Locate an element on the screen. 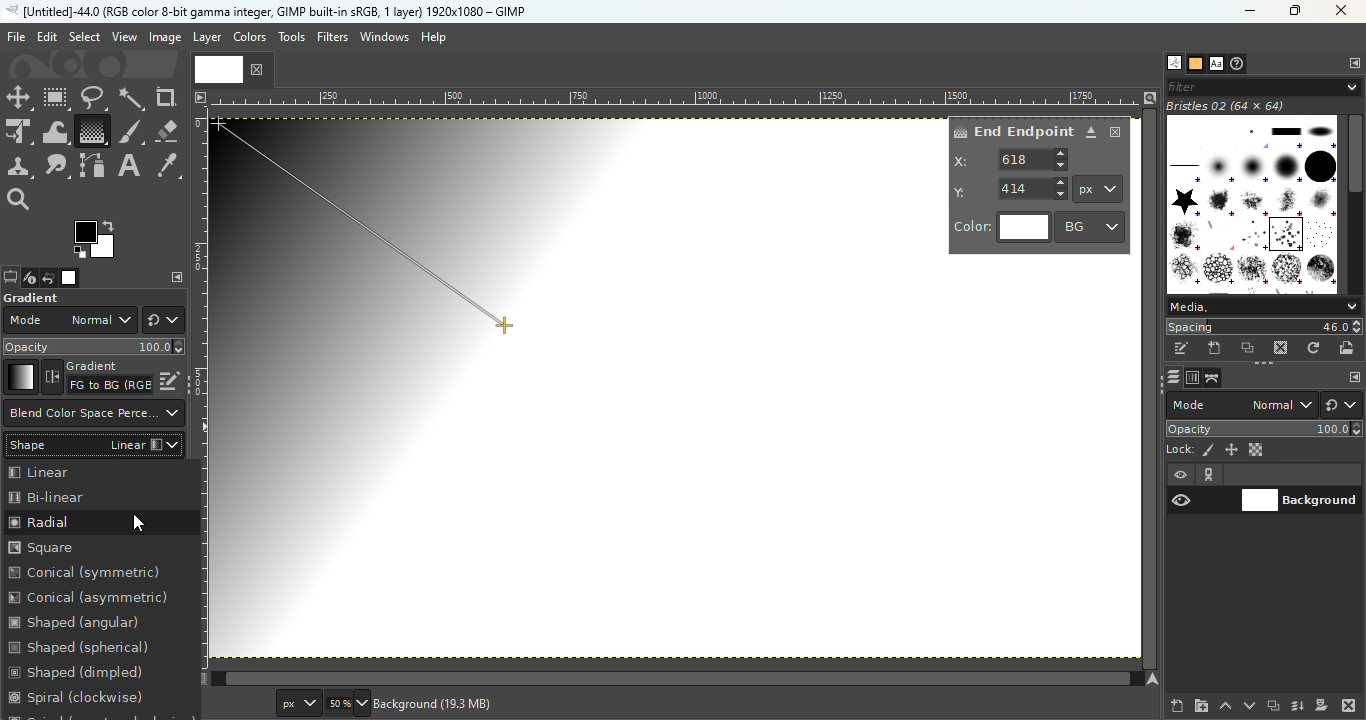  background is located at coordinates (438, 703).